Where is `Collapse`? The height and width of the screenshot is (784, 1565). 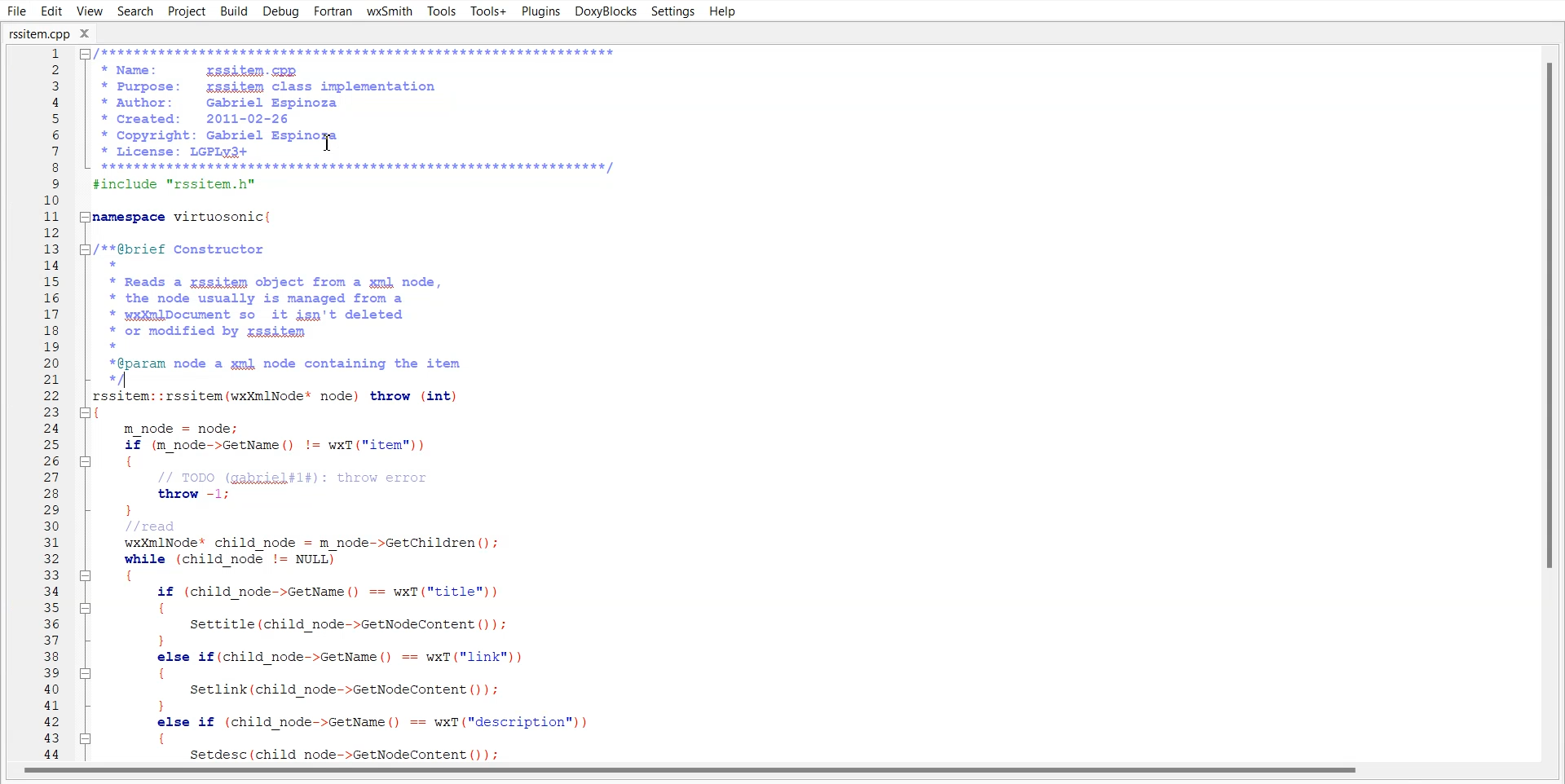 Collapse is located at coordinates (86, 609).